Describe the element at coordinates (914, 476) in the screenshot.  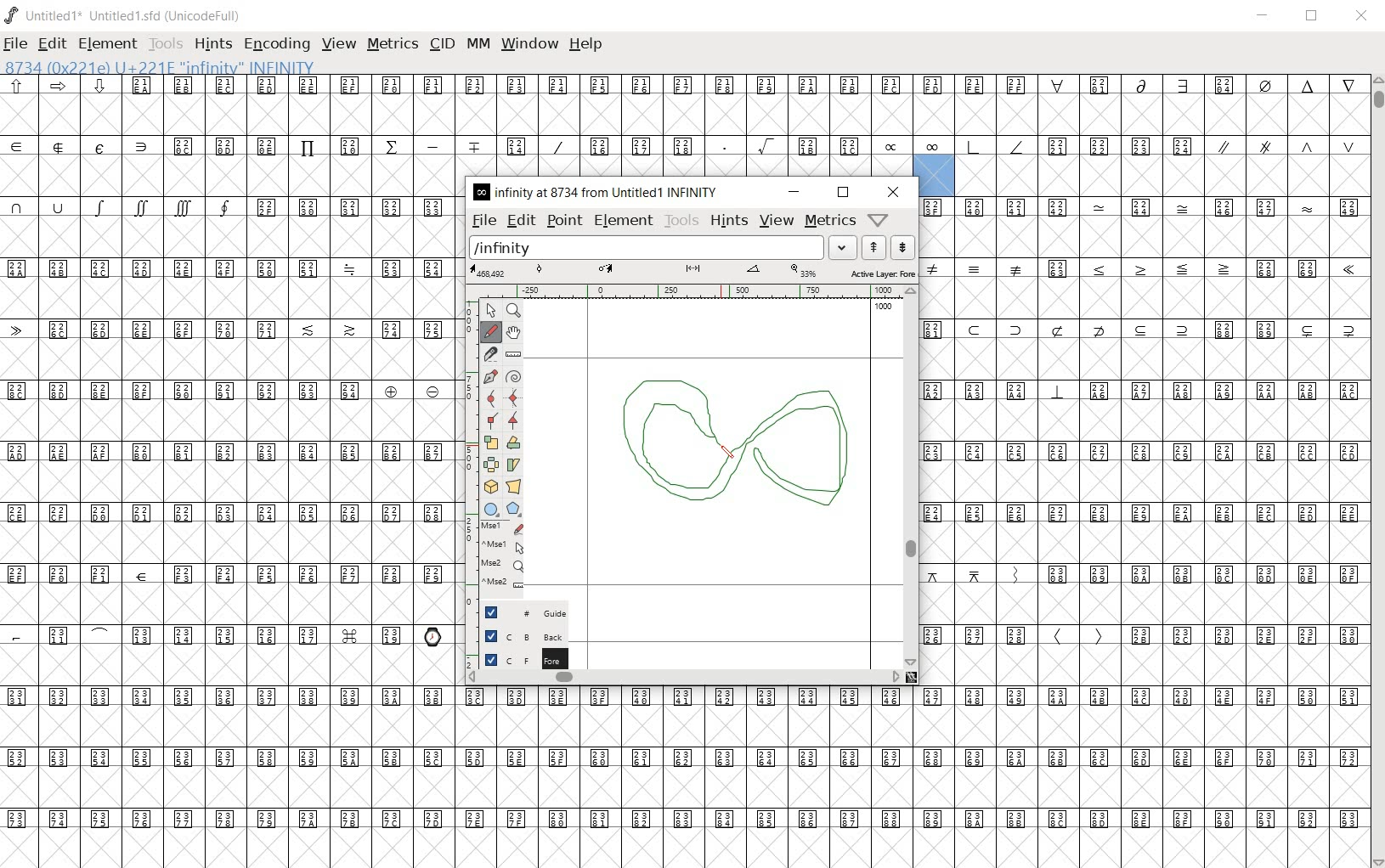
I see `scrollbar` at that location.